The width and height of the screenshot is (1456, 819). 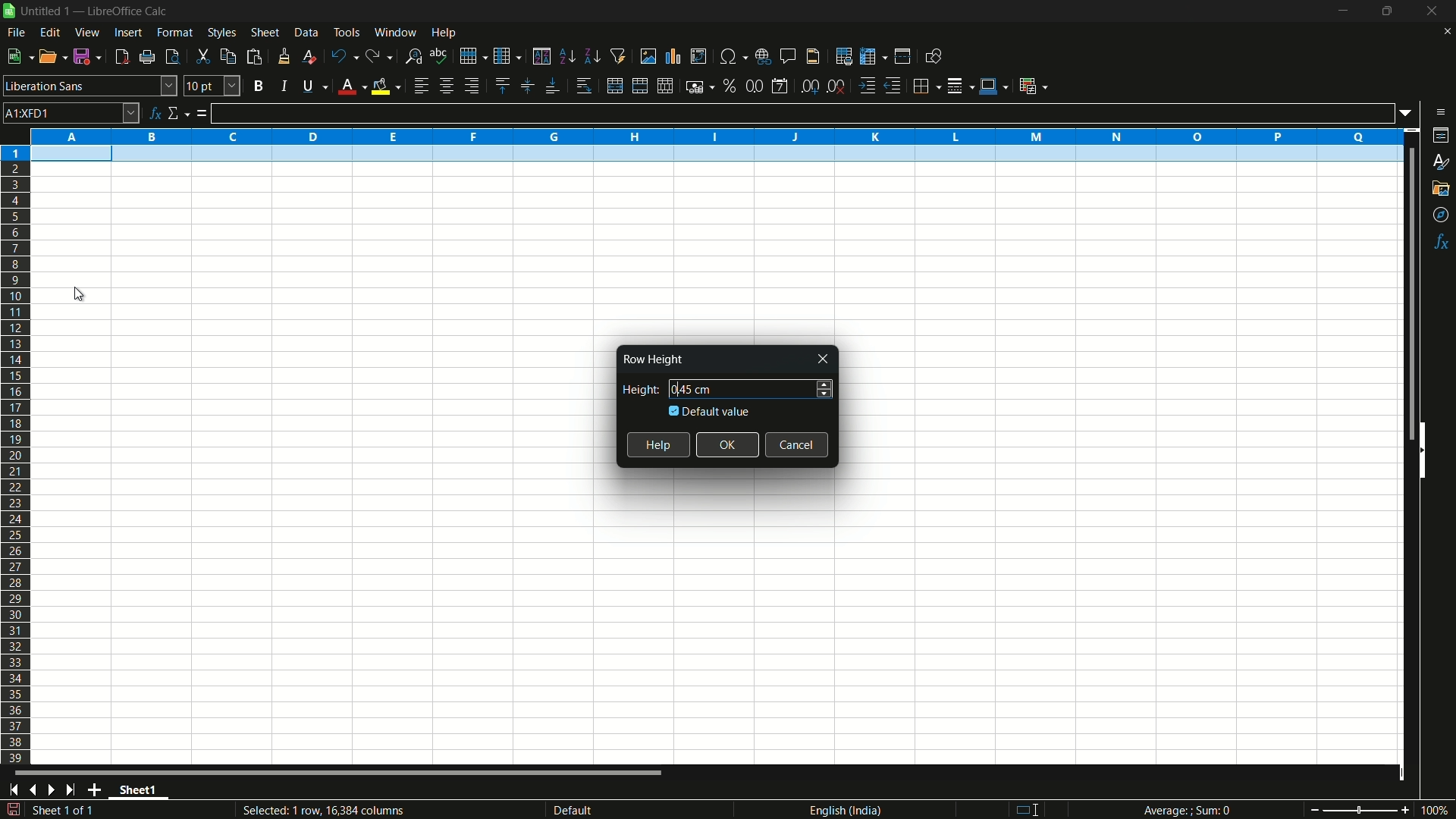 What do you see at coordinates (598, 810) in the screenshot?
I see `default` at bounding box center [598, 810].